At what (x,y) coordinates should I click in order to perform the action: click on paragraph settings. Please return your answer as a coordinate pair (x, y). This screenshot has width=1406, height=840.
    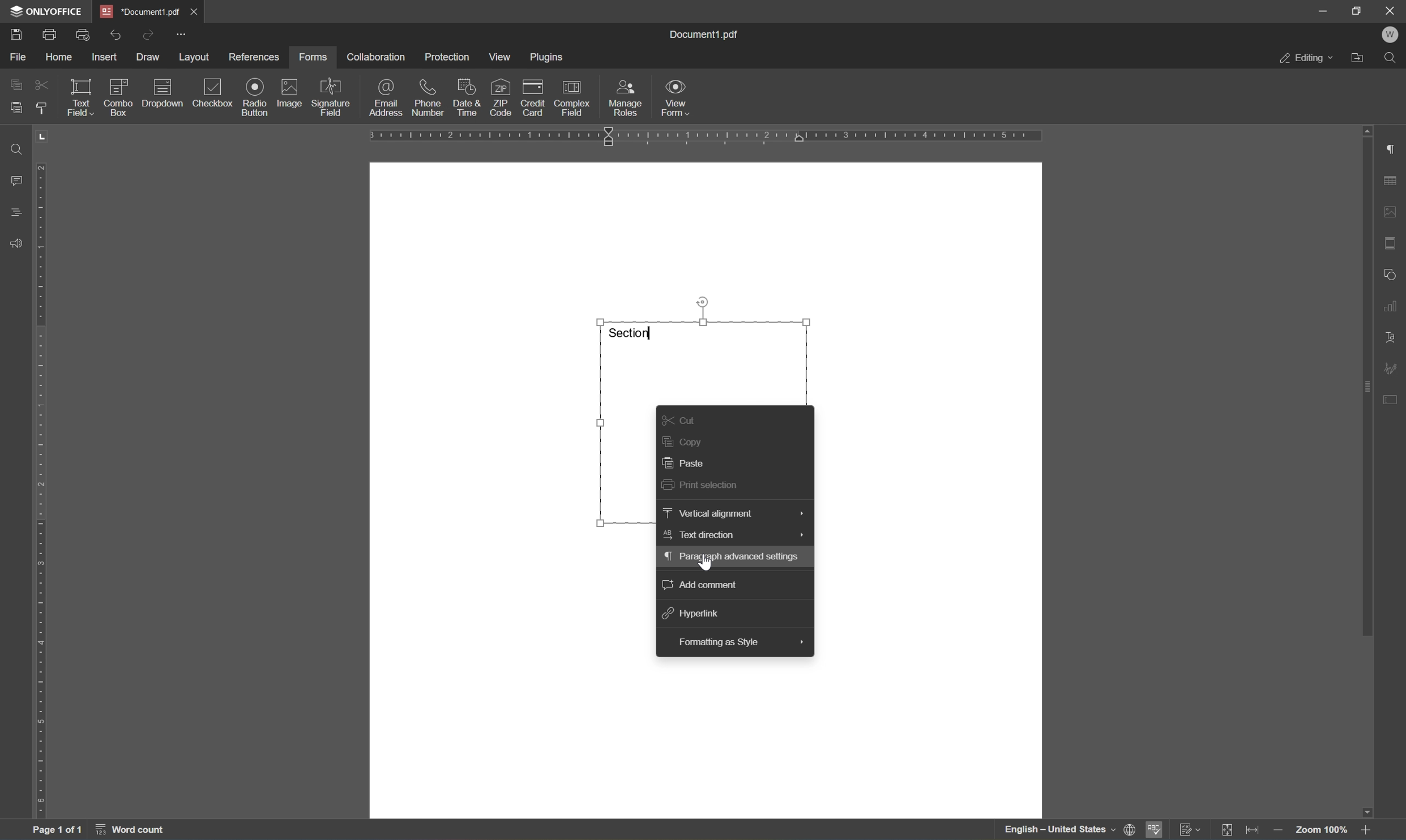
    Looking at the image, I should click on (1394, 150).